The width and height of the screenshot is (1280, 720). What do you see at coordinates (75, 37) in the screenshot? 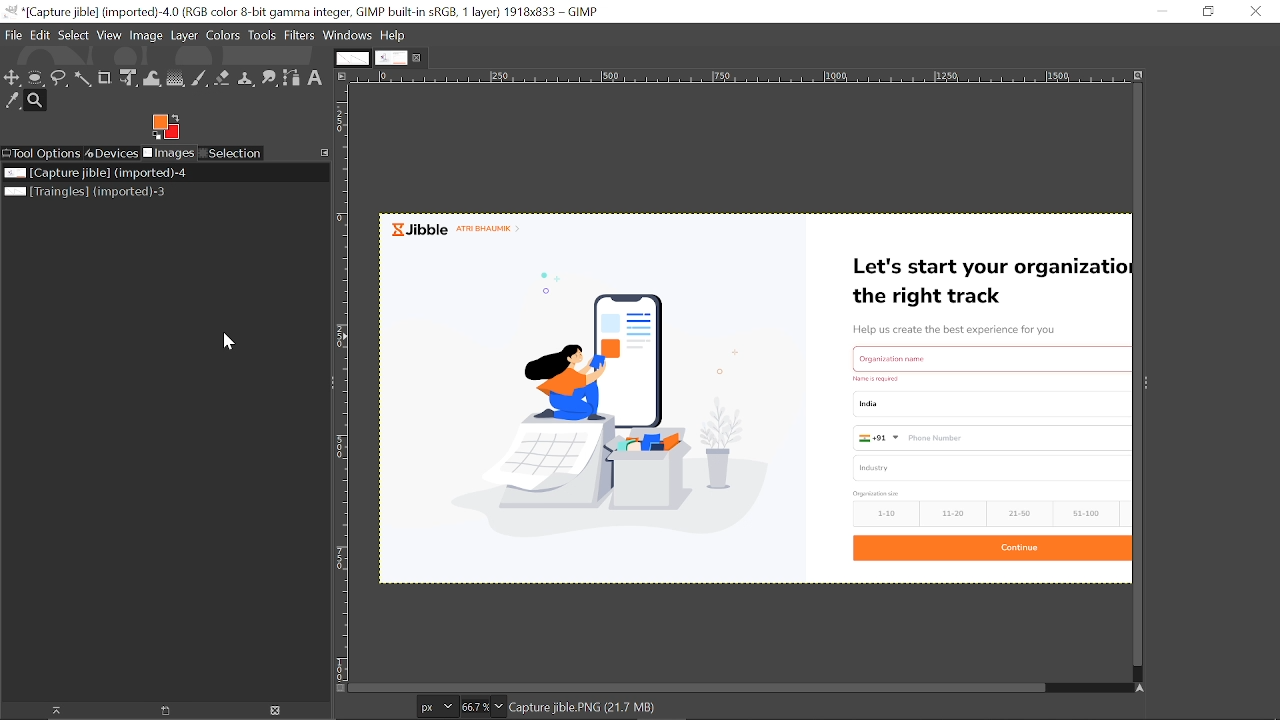
I see `Select` at bounding box center [75, 37].